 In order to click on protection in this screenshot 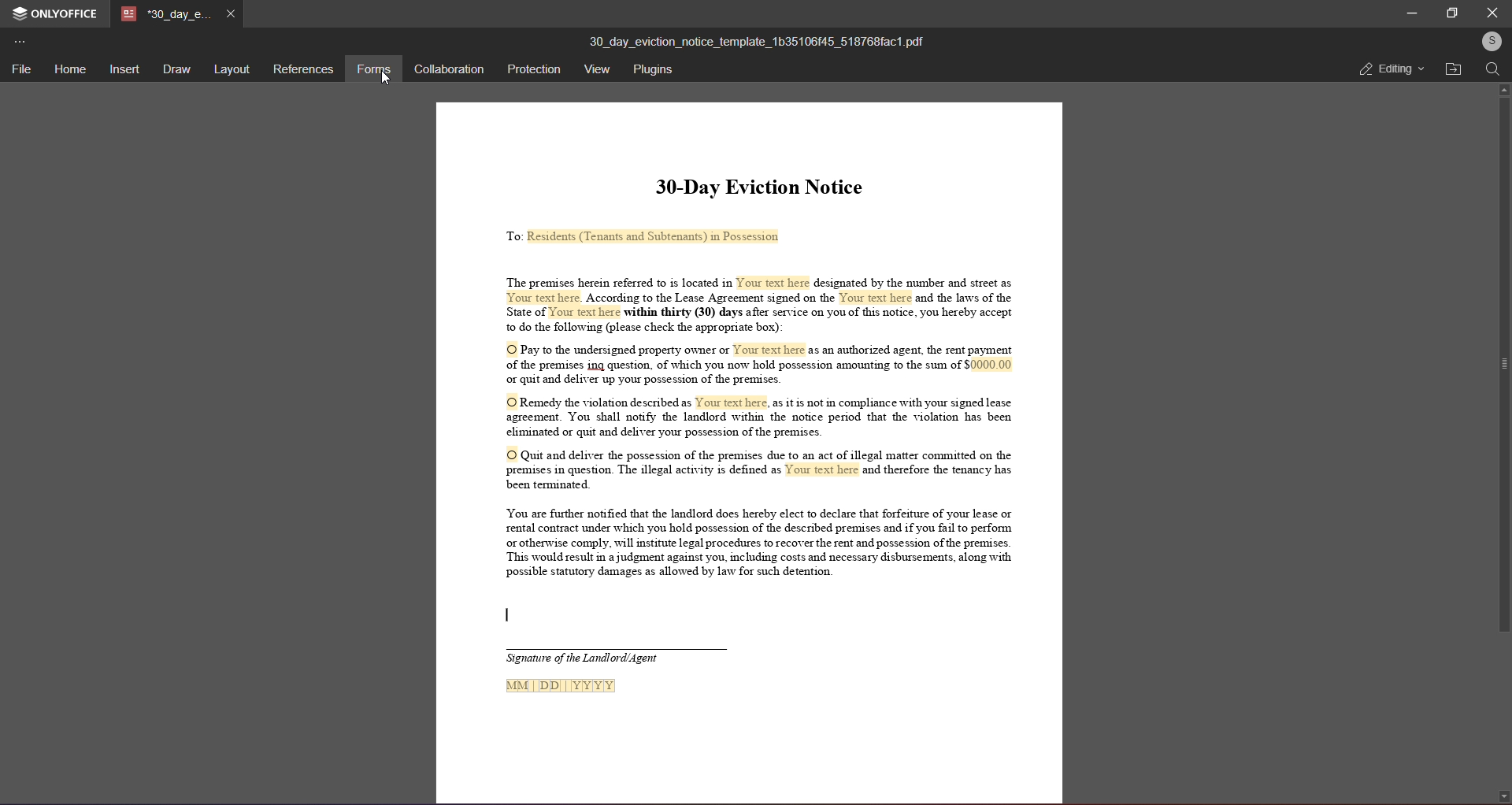, I will do `click(533, 69)`.